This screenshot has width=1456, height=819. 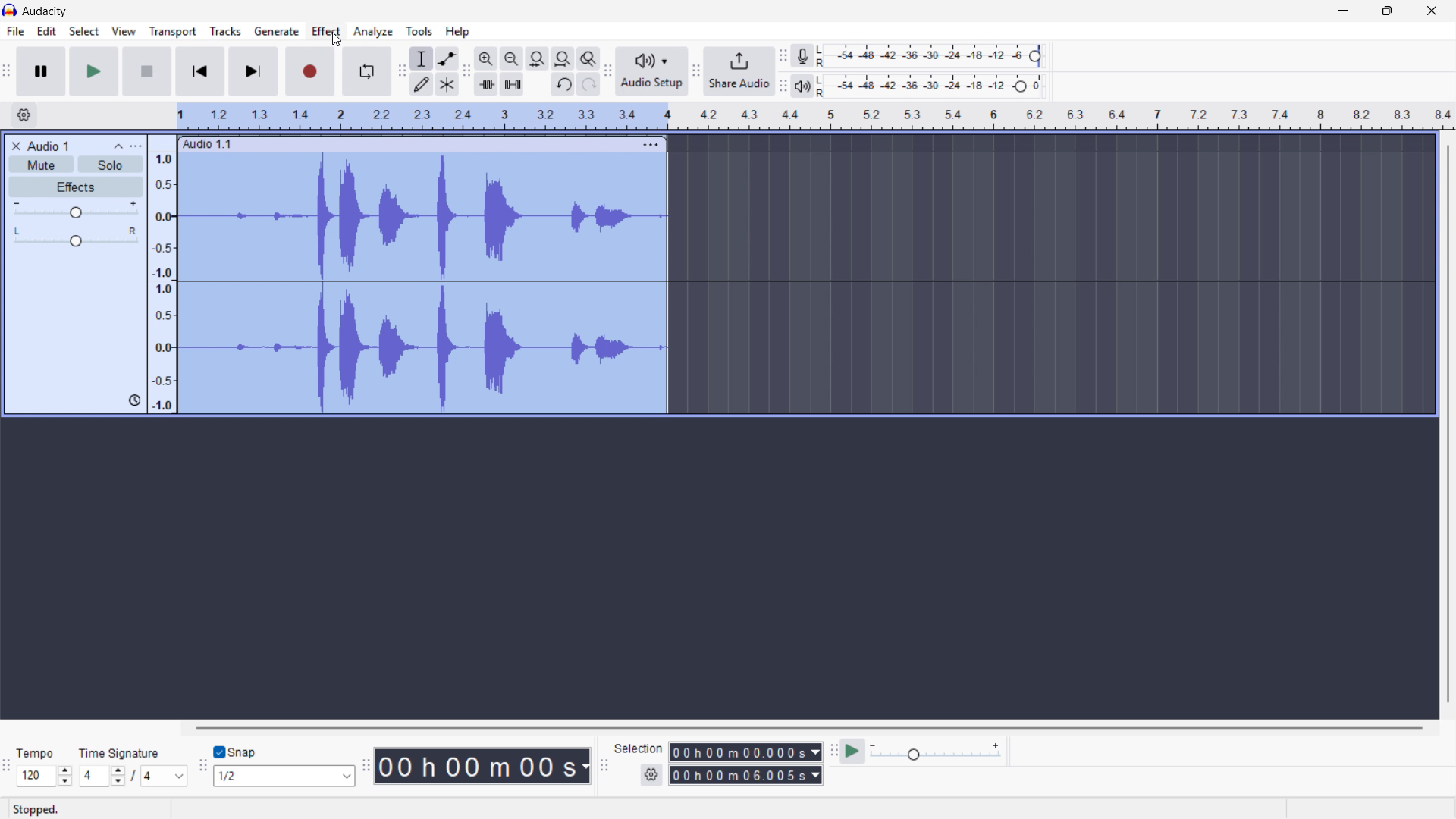 What do you see at coordinates (335, 43) in the screenshot?
I see `Cursor` at bounding box center [335, 43].